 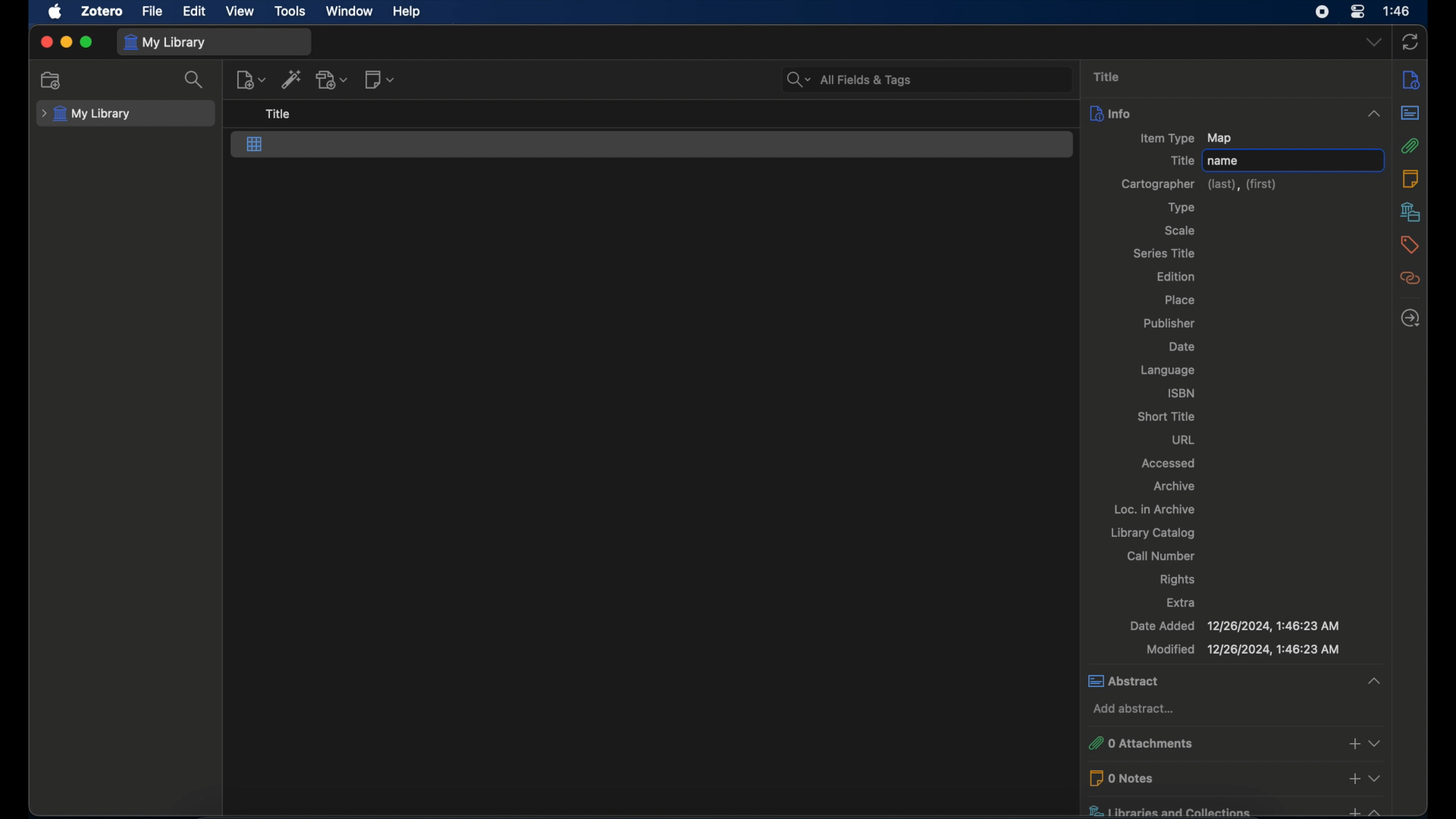 I want to click on title, so click(x=279, y=114).